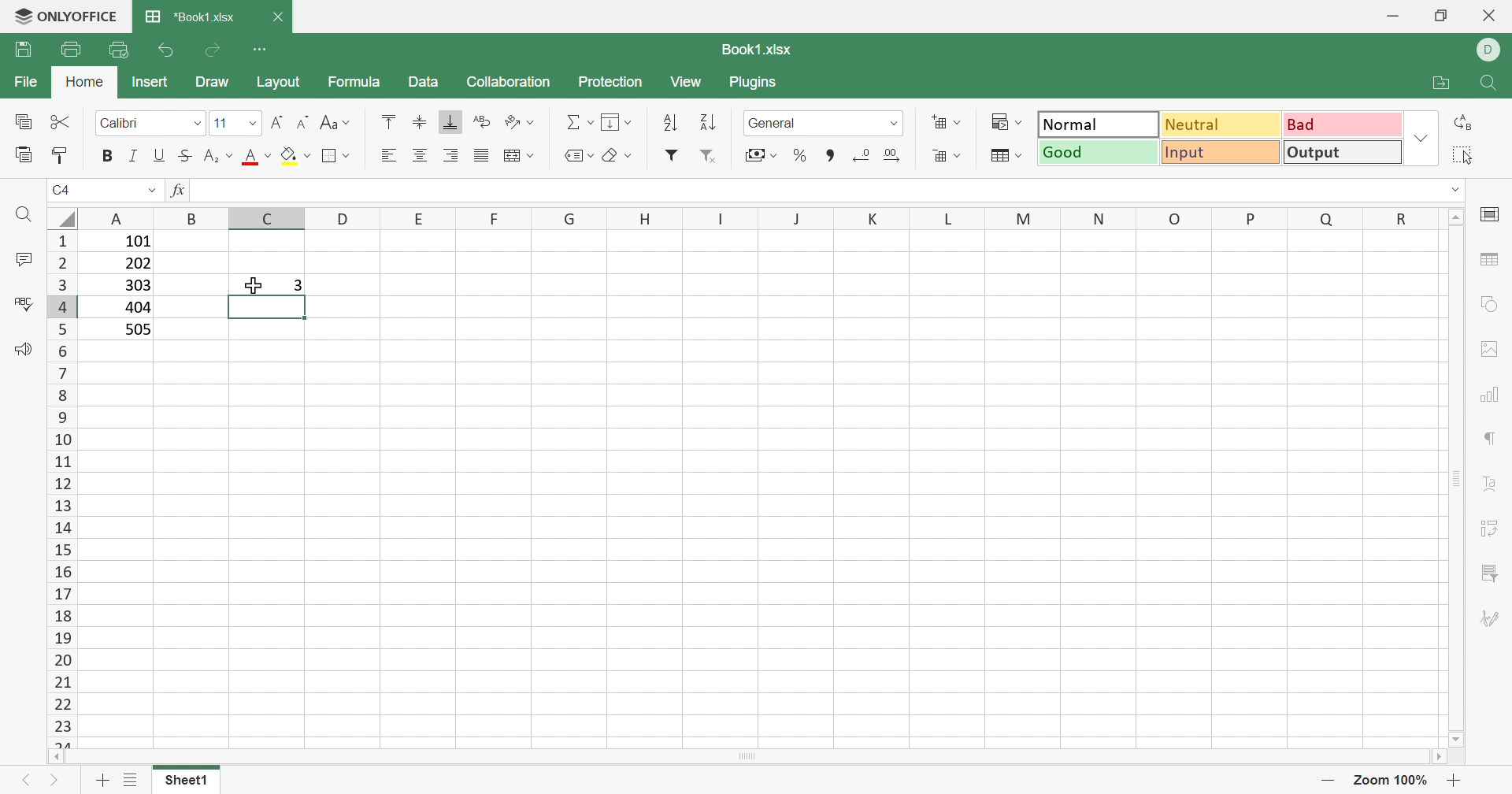 This screenshot has height=794, width=1512. Describe the element at coordinates (1491, 50) in the screenshot. I see `DELL` at that location.